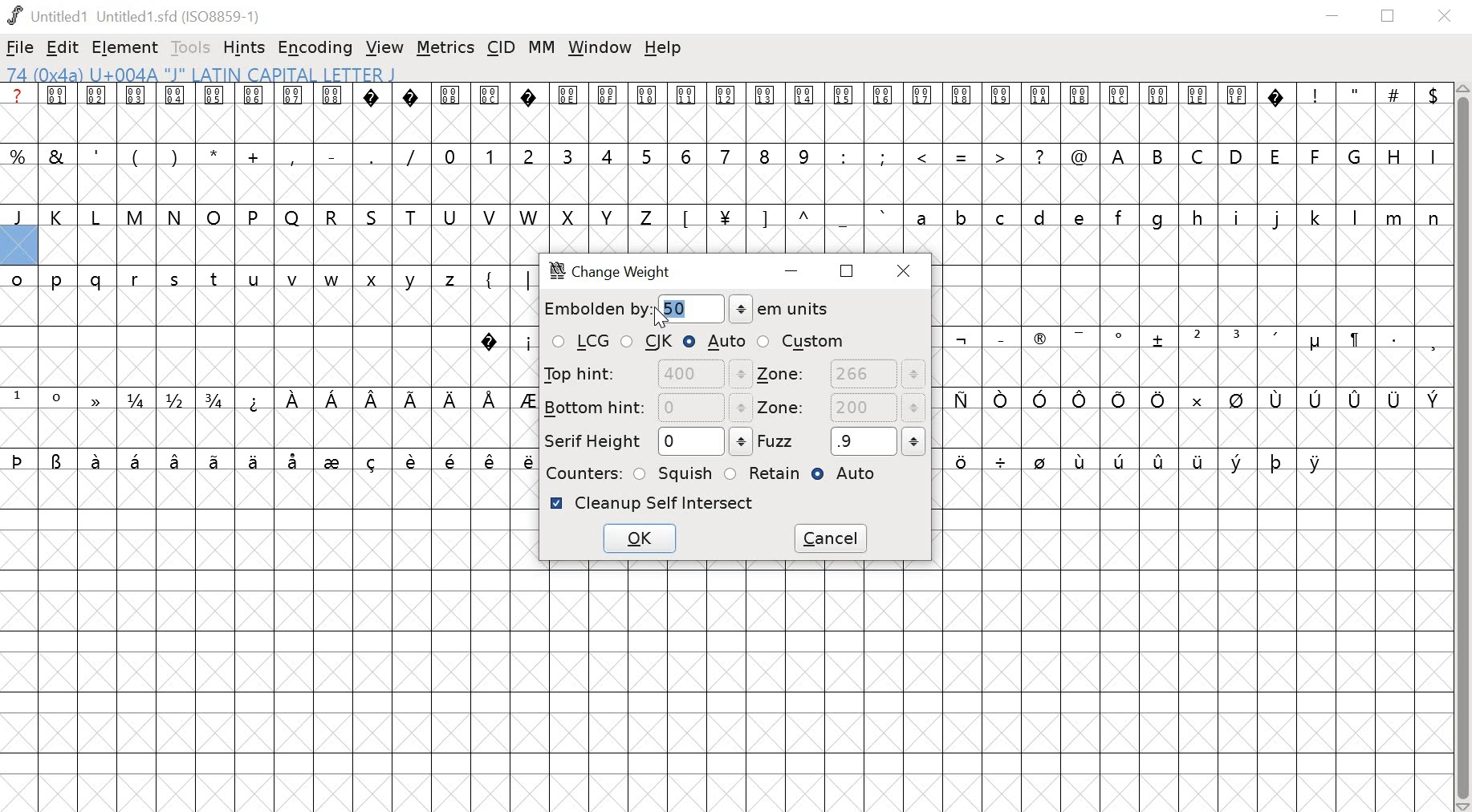 The height and width of the screenshot is (812, 1472). What do you see at coordinates (20, 47) in the screenshot?
I see `FILE` at bounding box center [20, 47].